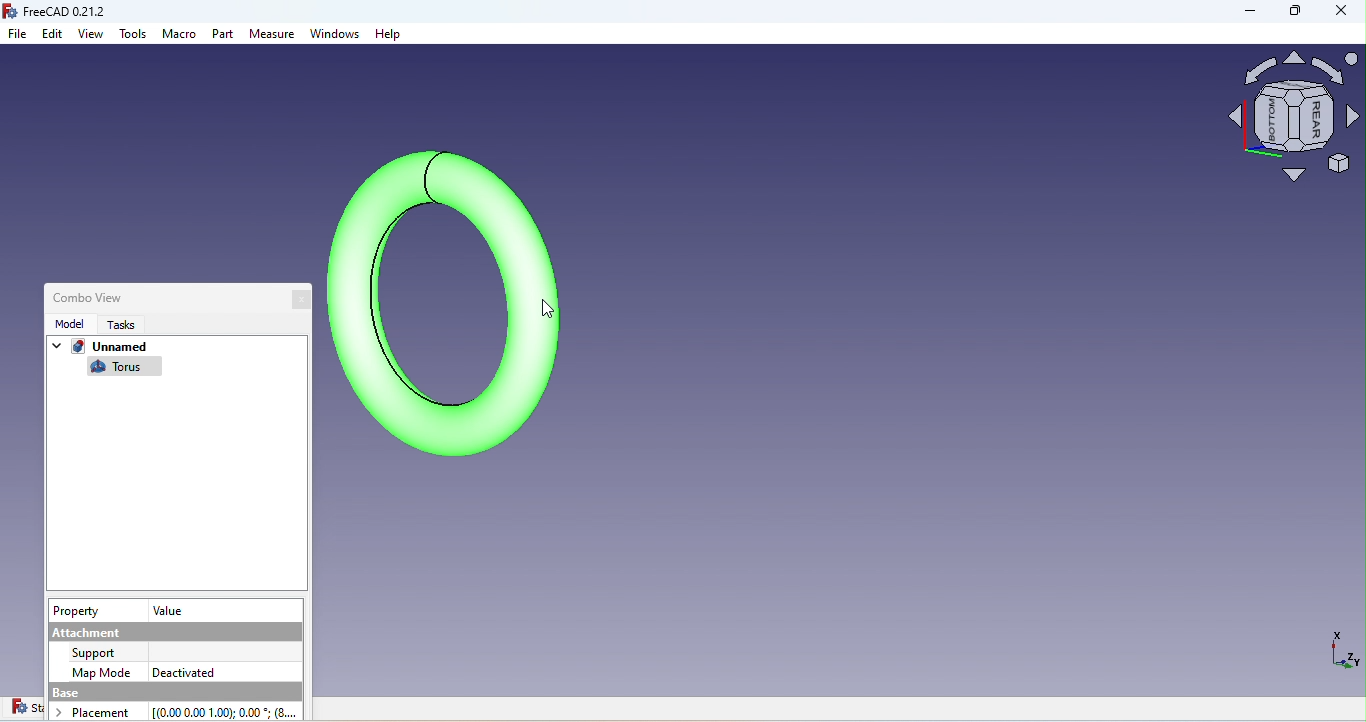 This screenshot has width=1366, height=722. Describe the element at coordinates (1341, 13) in the screenshot. I see `Close` at that location.